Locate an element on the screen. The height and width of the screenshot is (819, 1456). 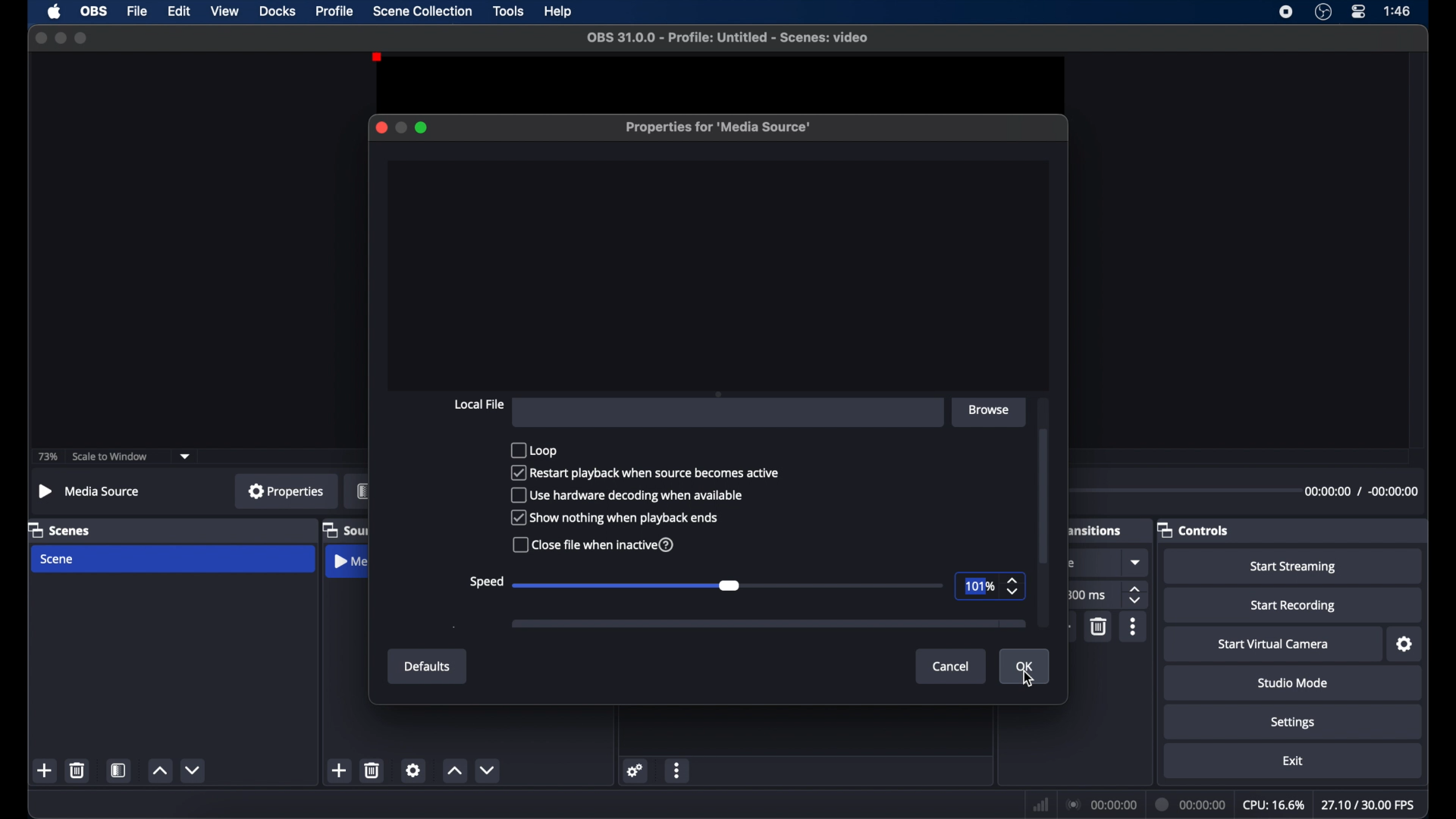
delete is located at coordinates (1100, 626).